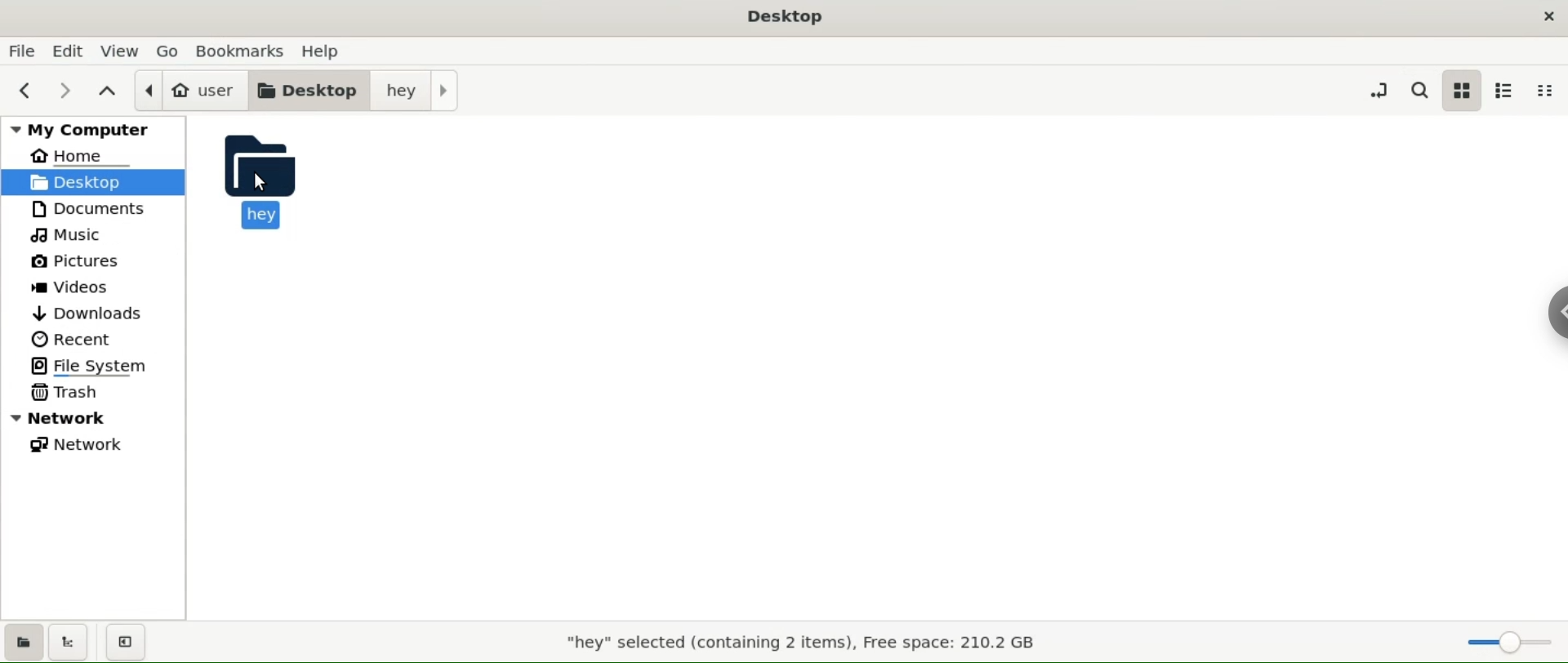 Image resolution: width=1568 pixels, height=663 pixels. Describe the element at coordinates (320, 49) in the screenshot. I see `help` at that location.